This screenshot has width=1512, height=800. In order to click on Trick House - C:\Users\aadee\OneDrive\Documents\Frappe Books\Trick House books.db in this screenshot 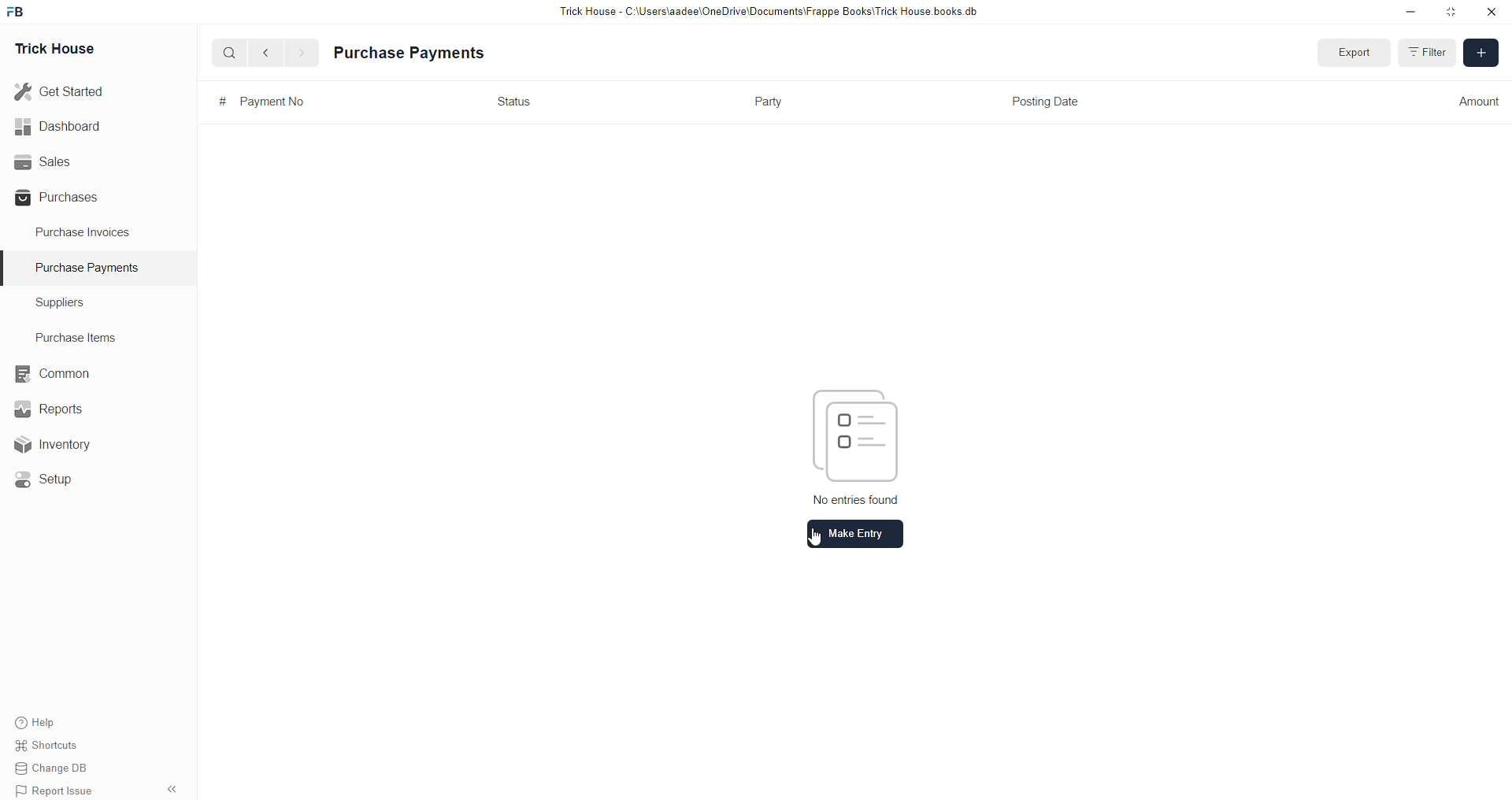, I will do `click(772, 12)`.